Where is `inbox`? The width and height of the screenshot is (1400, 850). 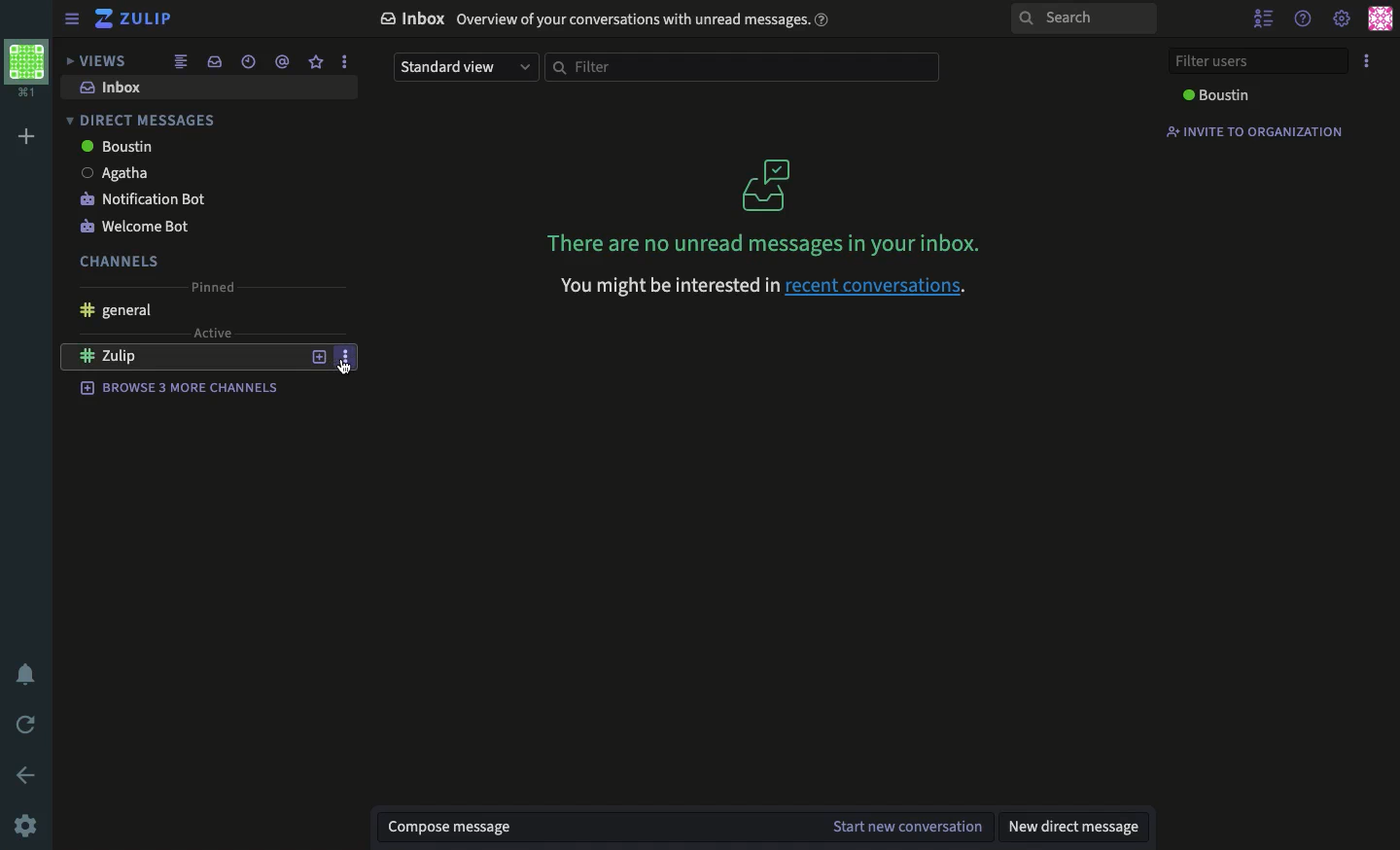
inbox is located at coordinates (216, 61).